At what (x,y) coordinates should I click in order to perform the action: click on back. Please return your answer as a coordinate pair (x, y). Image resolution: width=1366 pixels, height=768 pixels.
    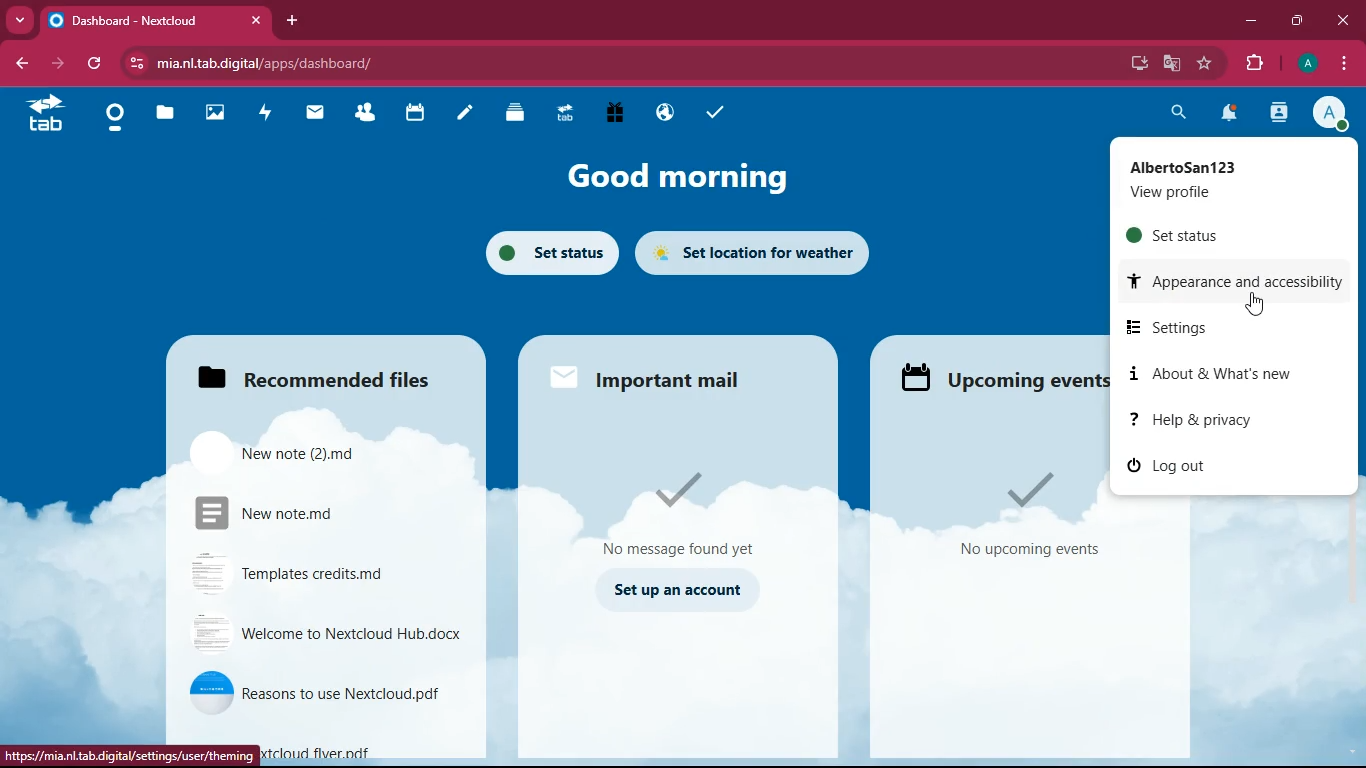
    Looking at the image, I should click on (21, 65).